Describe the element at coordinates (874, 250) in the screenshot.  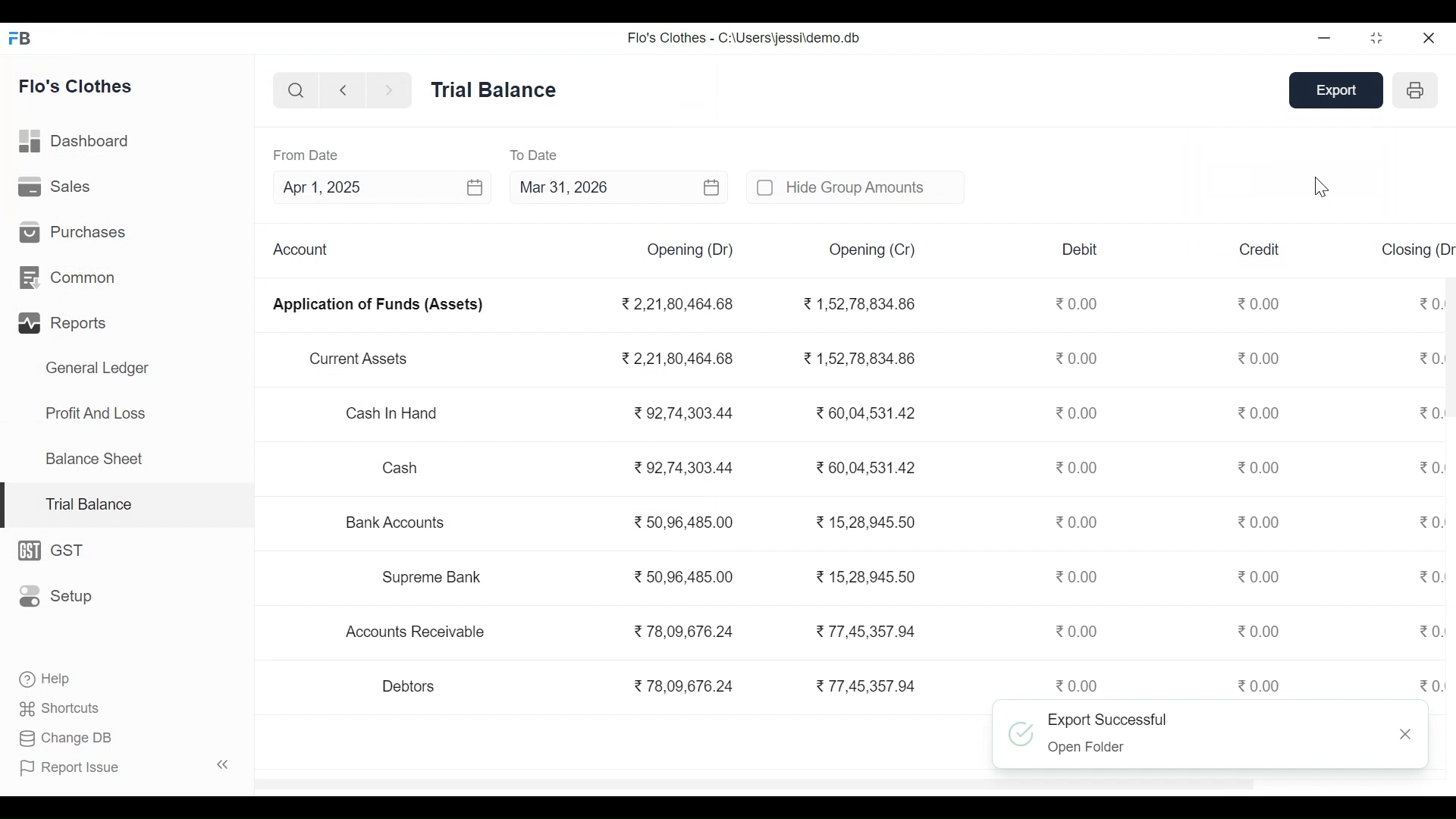
I see `Opening (Cr)` at that location.